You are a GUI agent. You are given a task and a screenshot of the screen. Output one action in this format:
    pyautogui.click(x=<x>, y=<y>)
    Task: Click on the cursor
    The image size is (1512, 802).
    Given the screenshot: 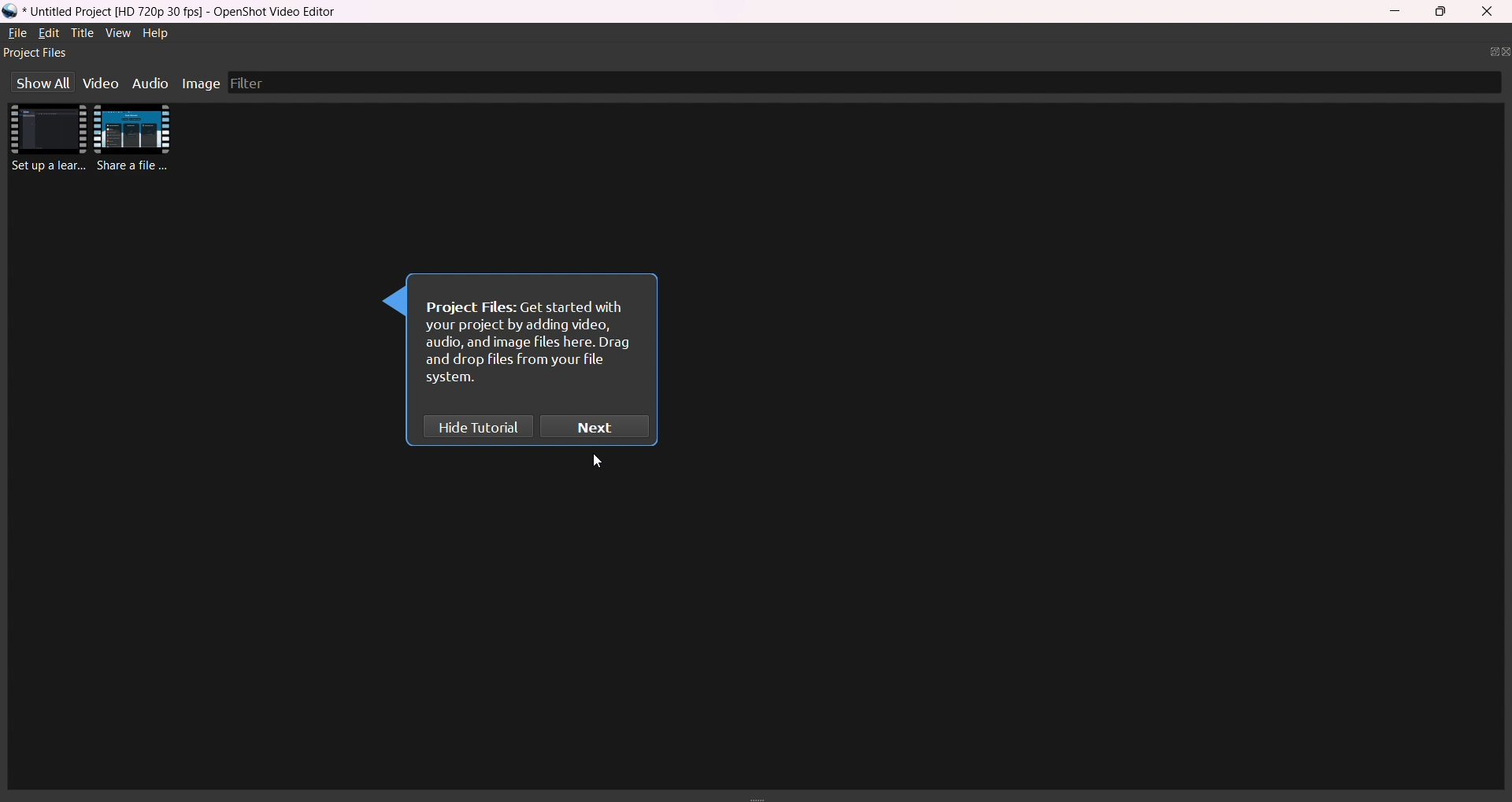 What is the action you would take?
    pyautogui.click(x=595, y=461)
    